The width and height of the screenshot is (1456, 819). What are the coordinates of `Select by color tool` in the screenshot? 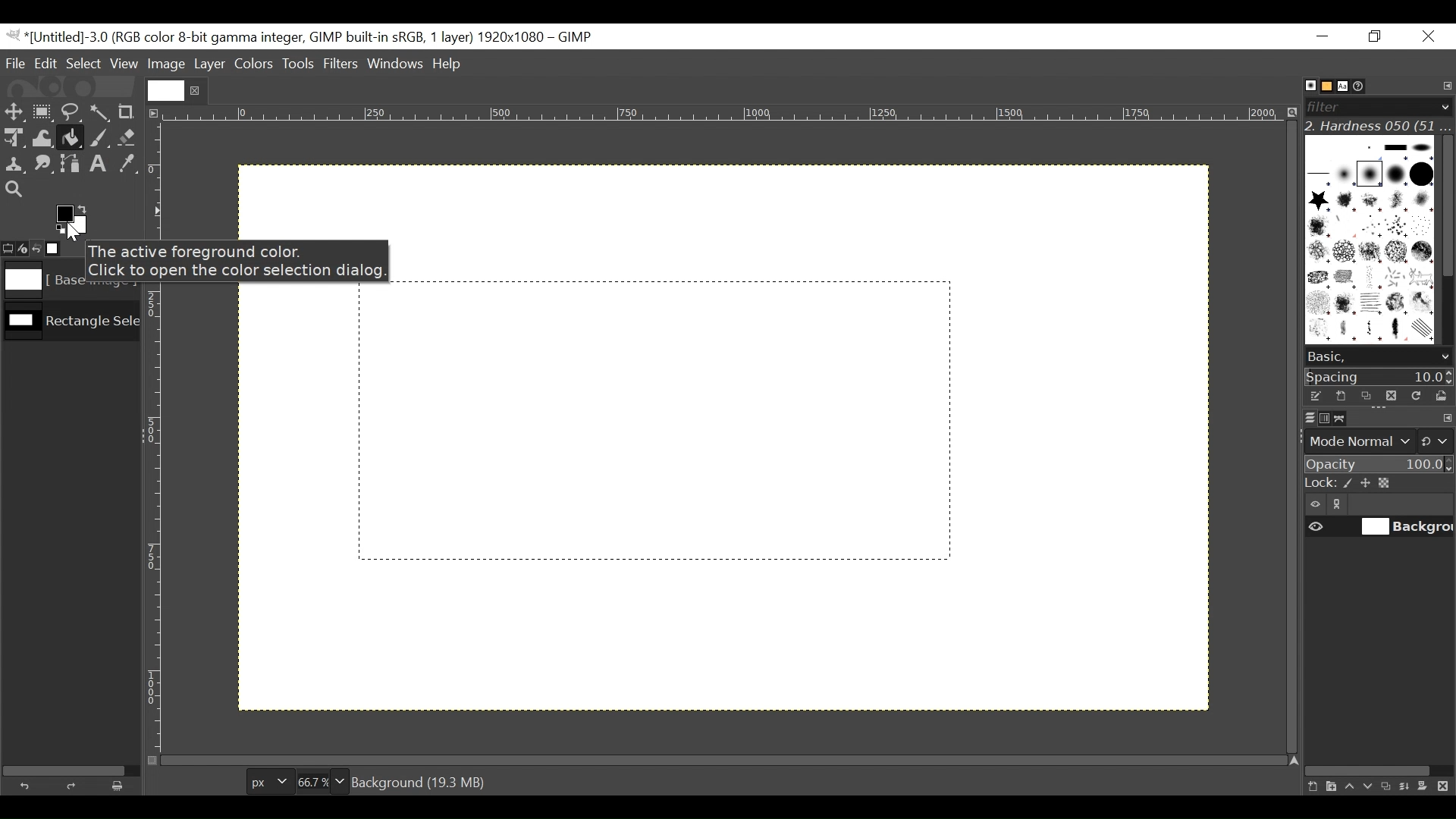 It's located at (102, 111).